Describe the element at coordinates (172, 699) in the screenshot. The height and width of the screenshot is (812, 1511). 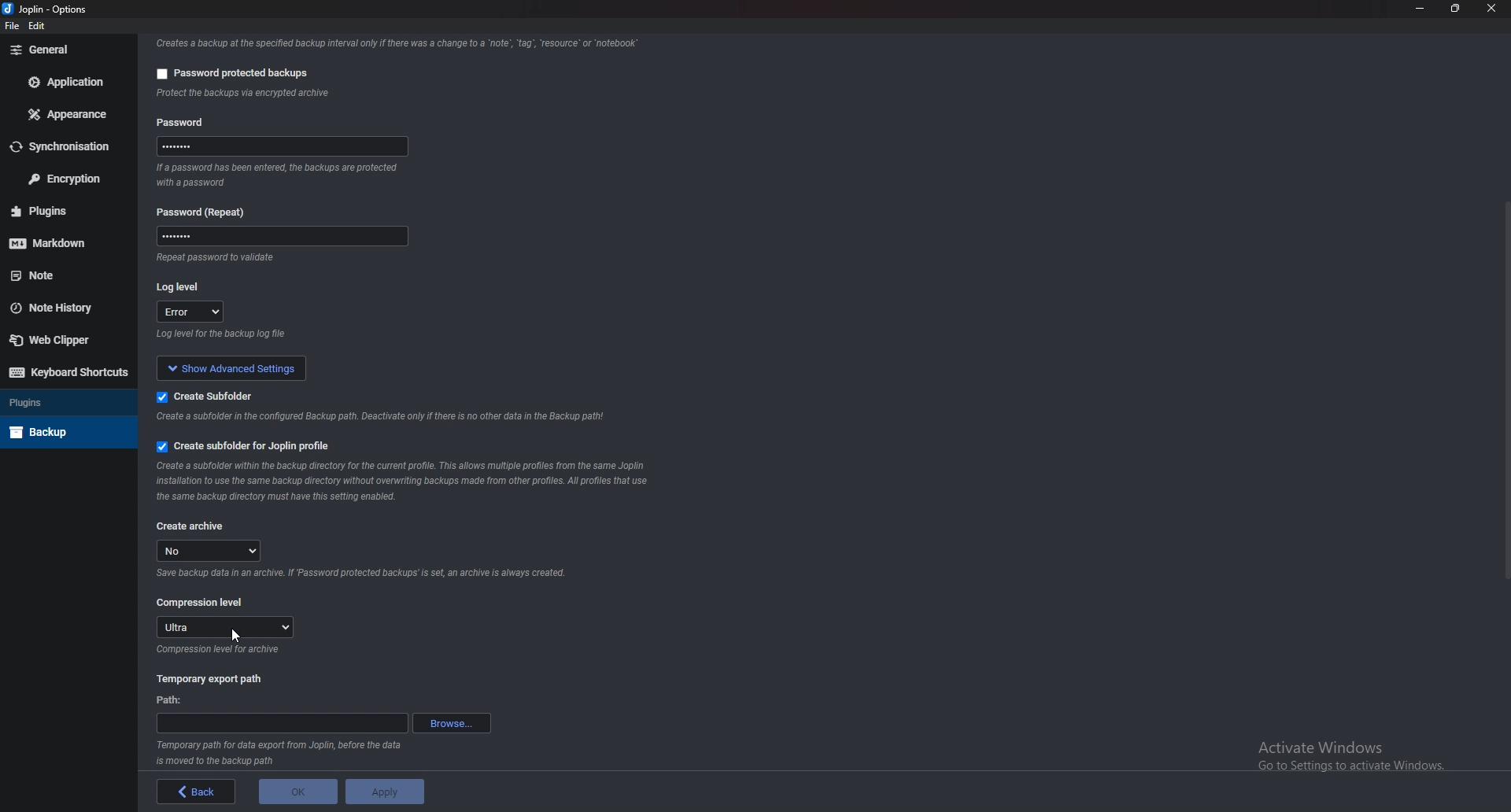
I see `path` at that location.